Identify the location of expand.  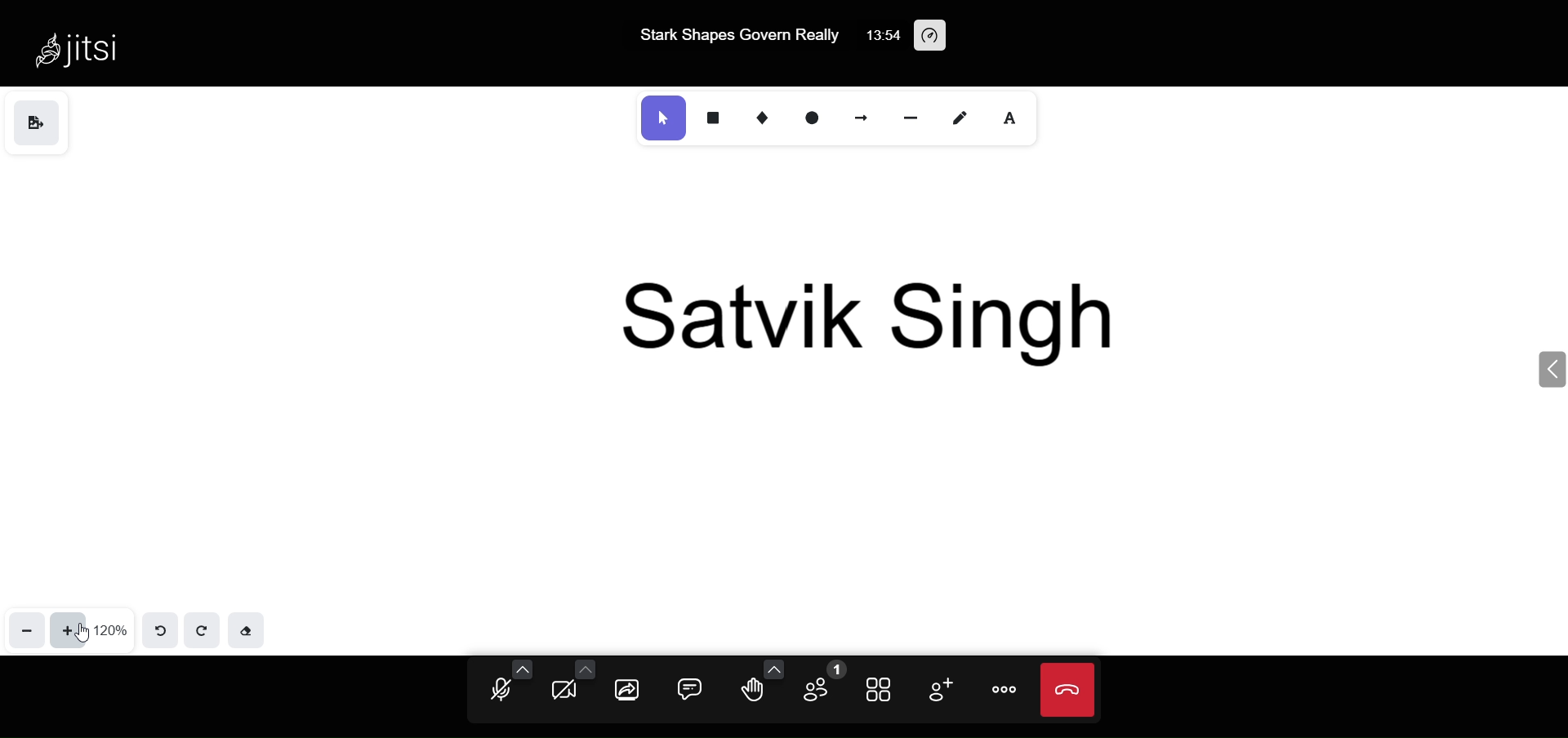
(1545, 369).